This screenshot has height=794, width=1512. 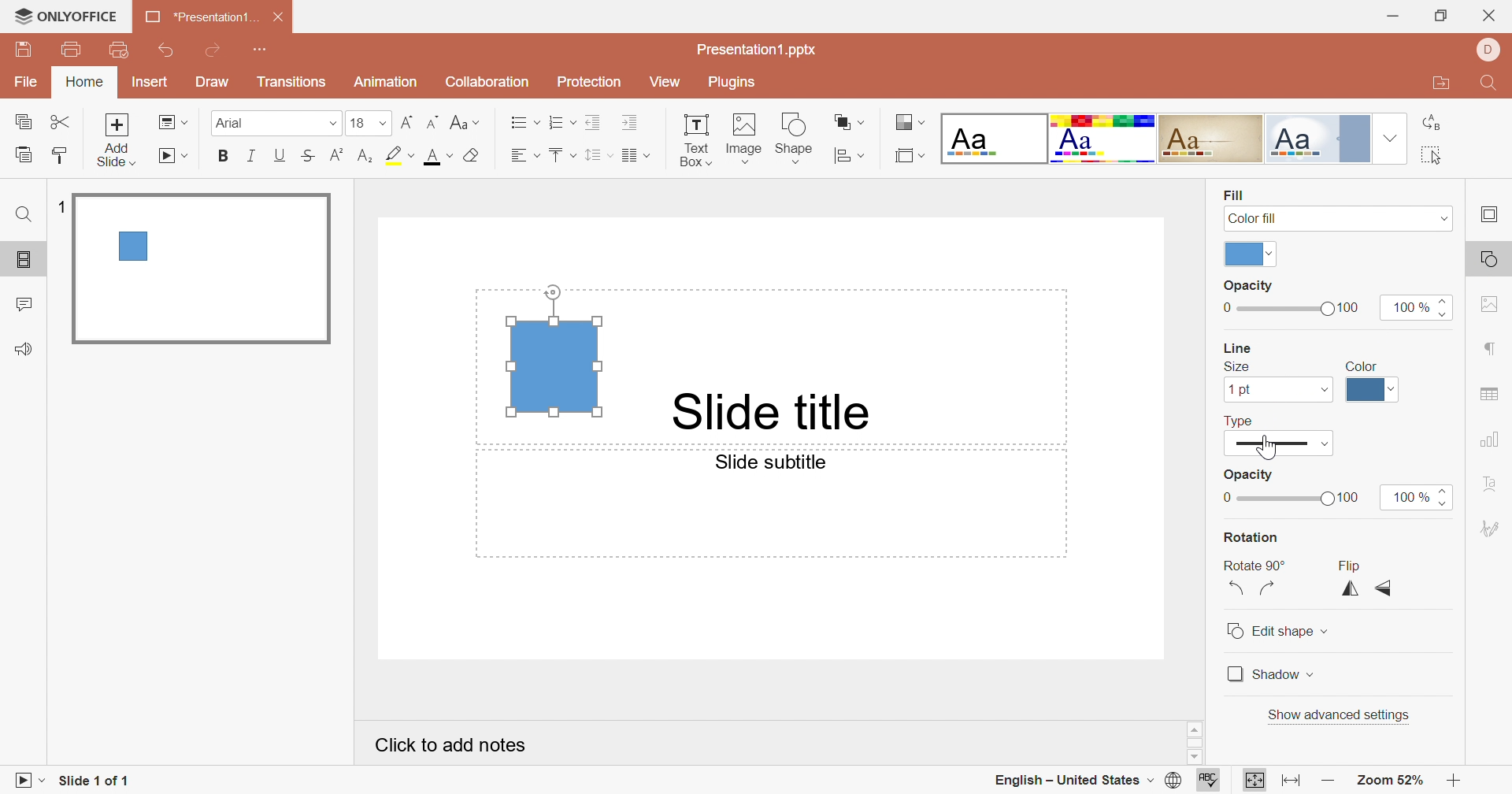 What do you see at coordinates (1490, 307) in the screenshot?
I see `Image settings` at bounding box center [1490, 307].